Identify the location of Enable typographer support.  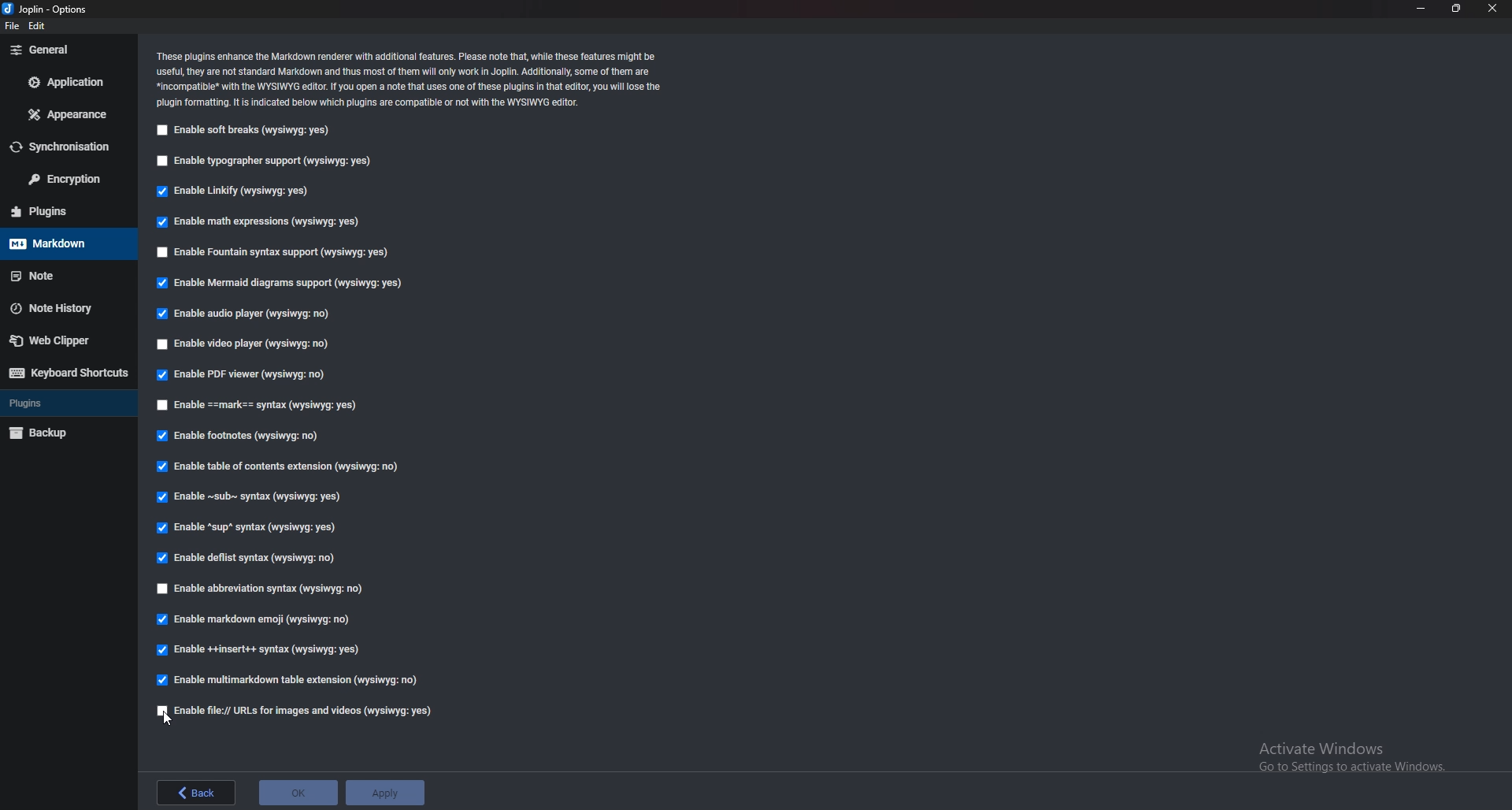
(267, 162).